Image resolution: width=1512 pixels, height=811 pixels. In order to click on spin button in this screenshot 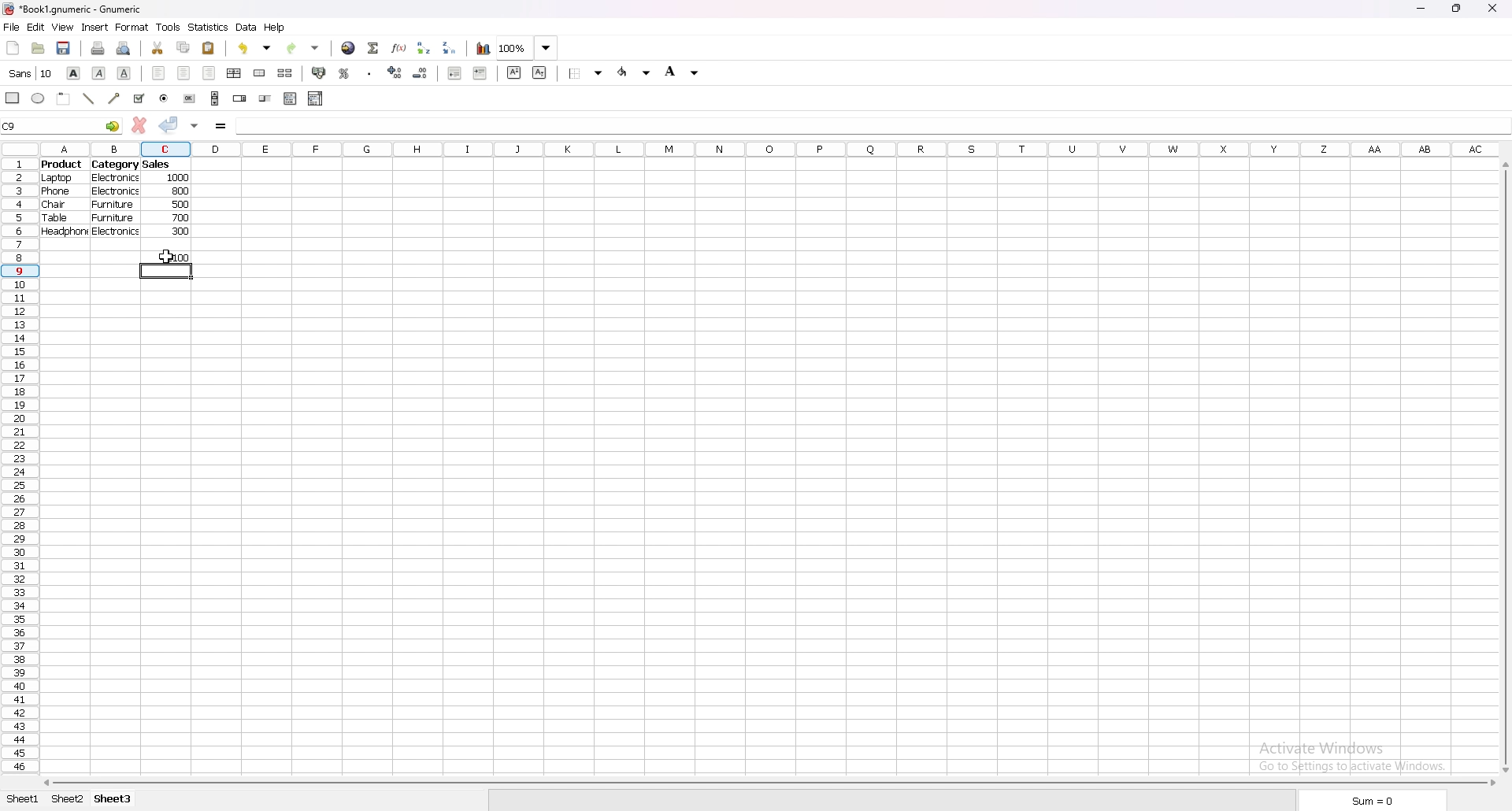, I will do `click(239, 99)`.